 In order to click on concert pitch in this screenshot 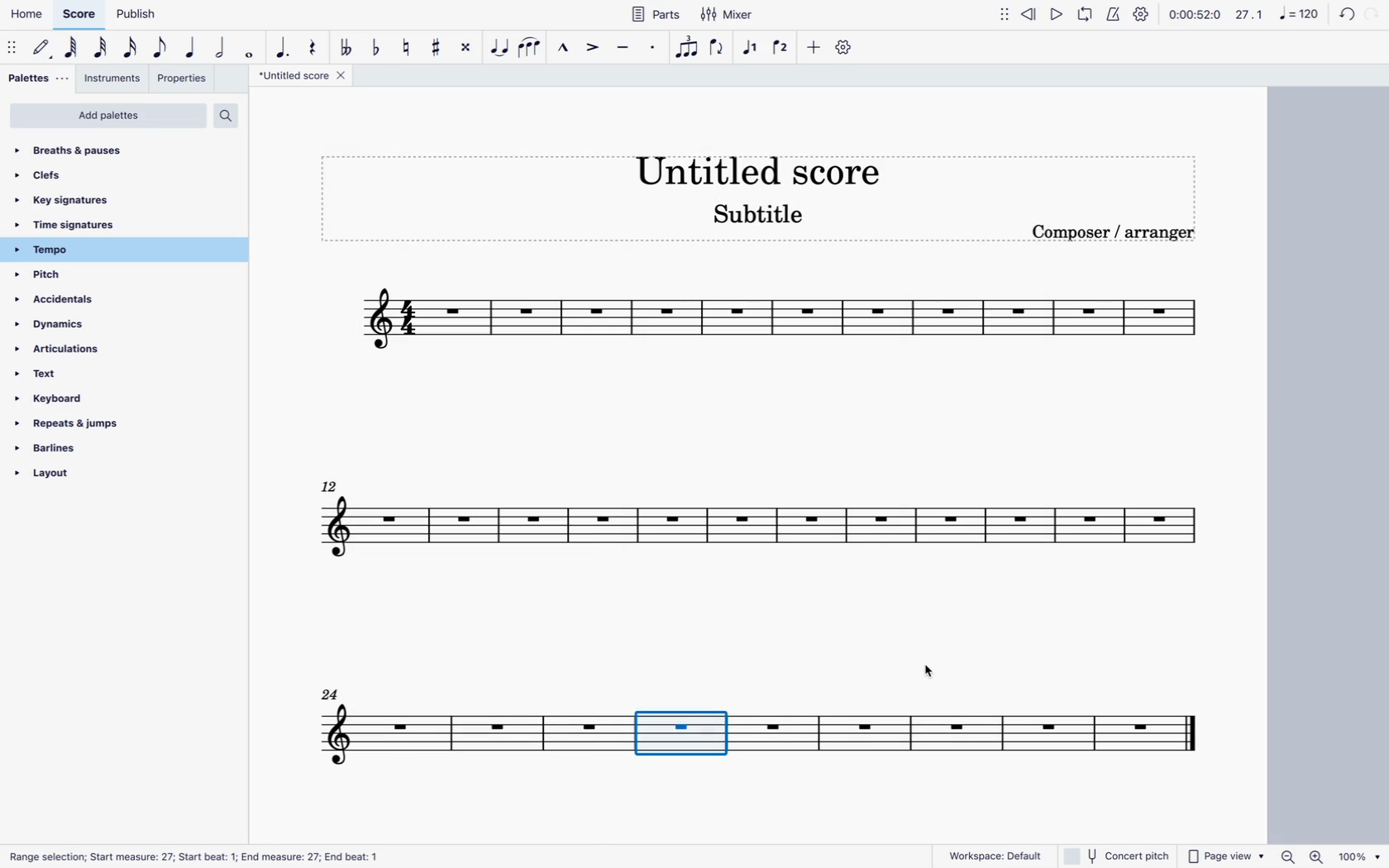, I will do `click(1119, 856)`.